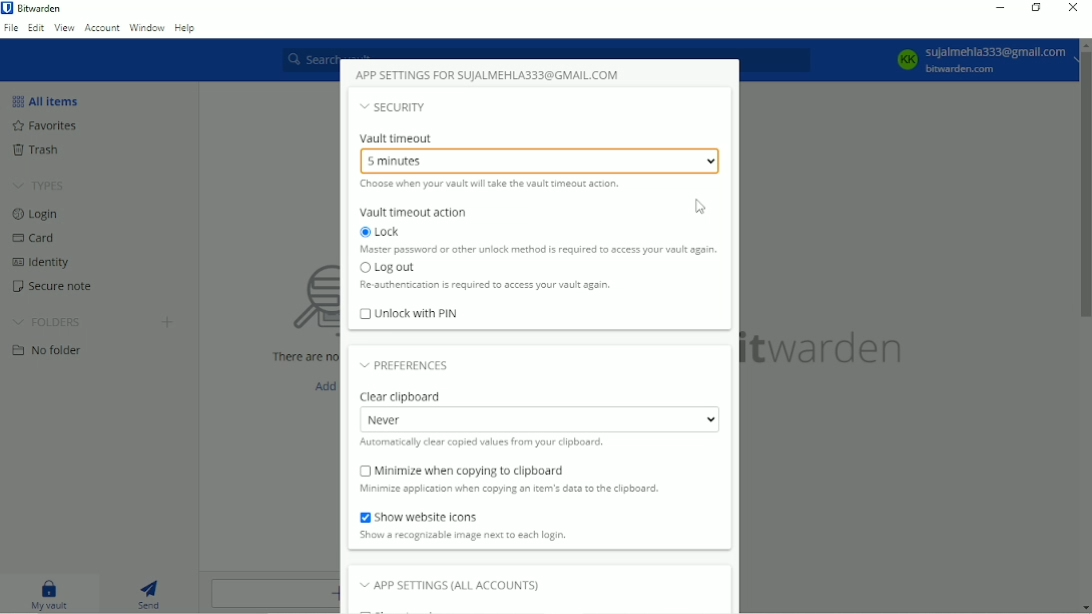  I want to click on File, so click(10, 30).